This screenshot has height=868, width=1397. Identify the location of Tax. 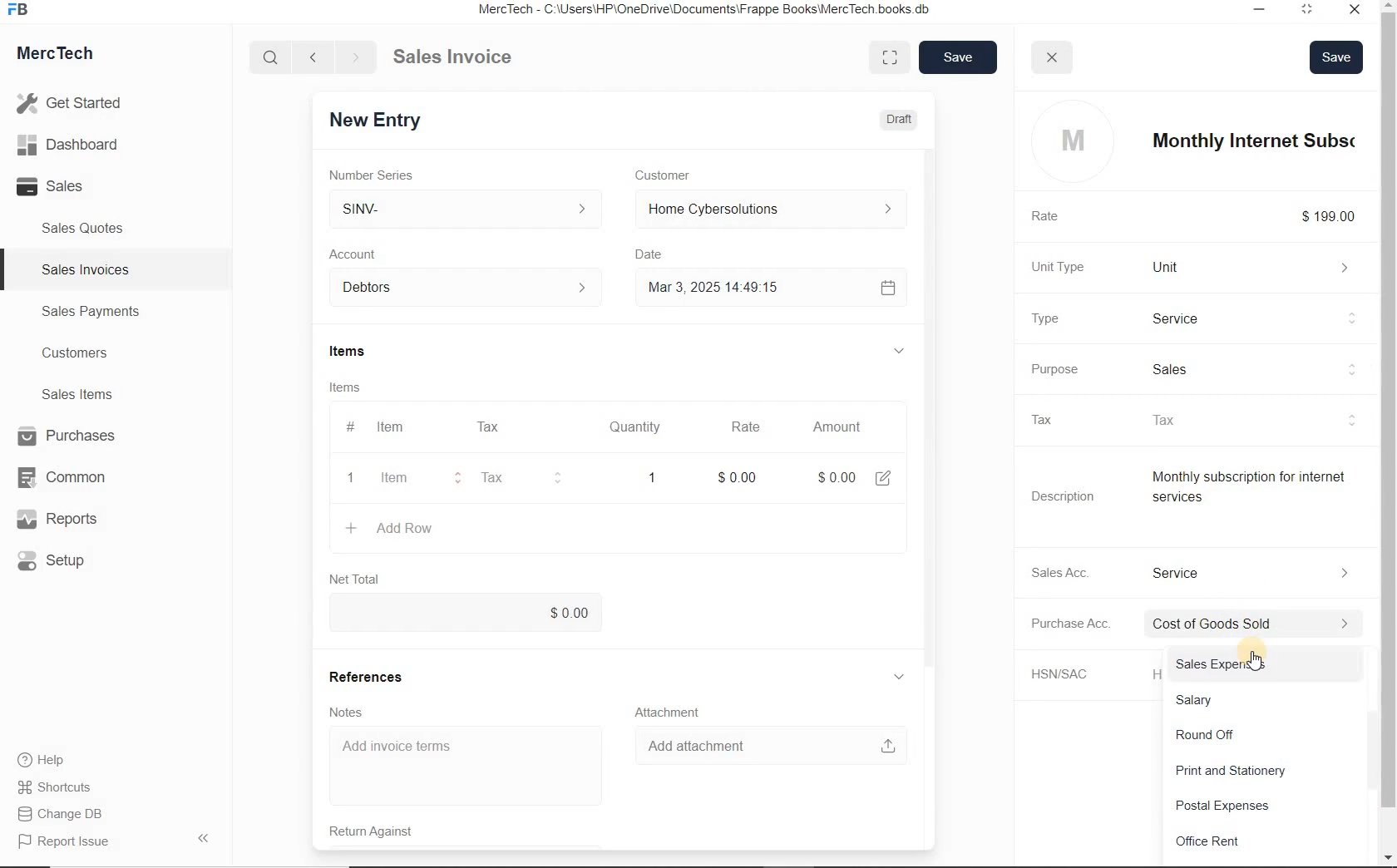
(1058, 419).